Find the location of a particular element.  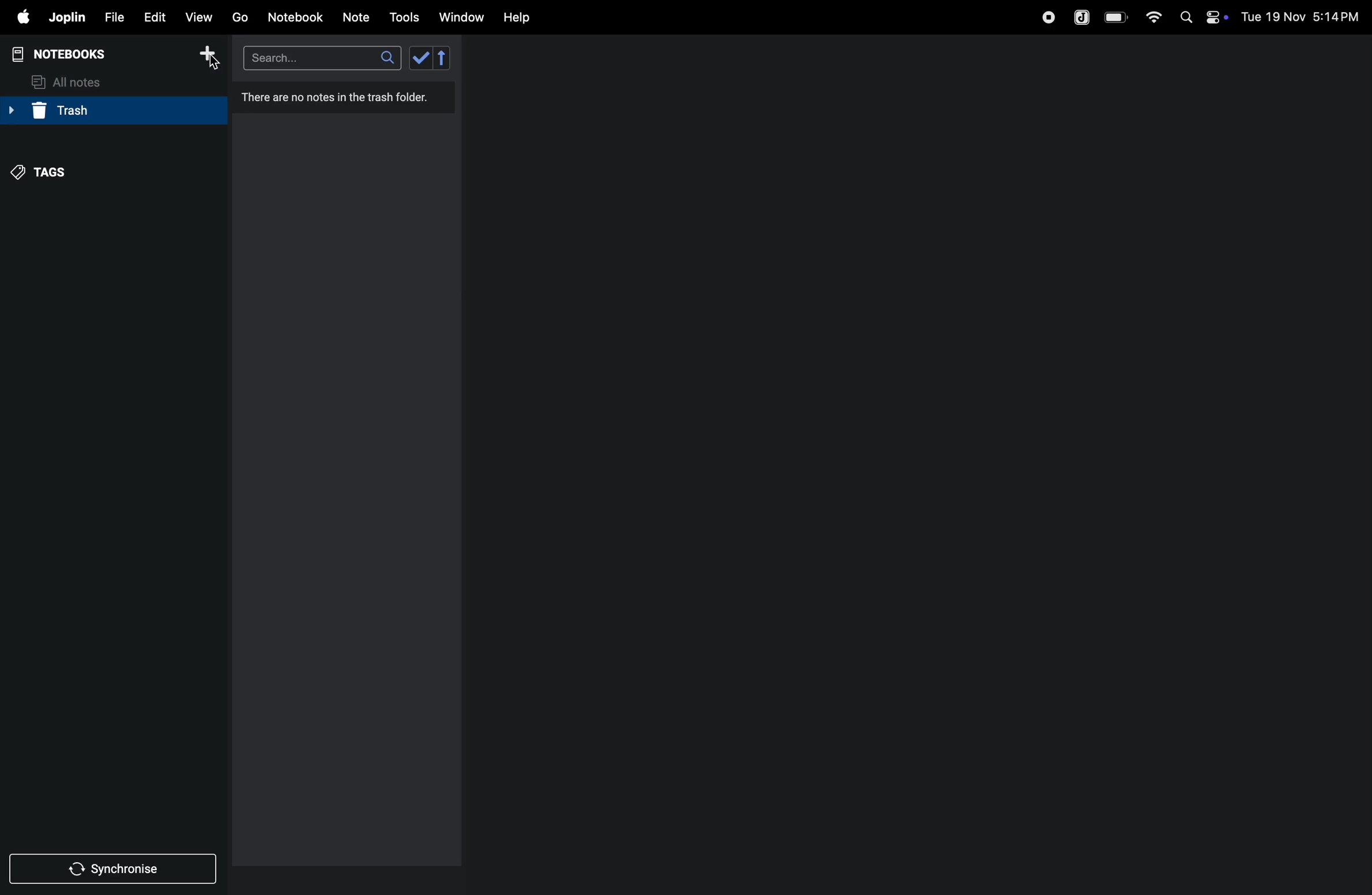

record is located at coordinates (1047, 17).